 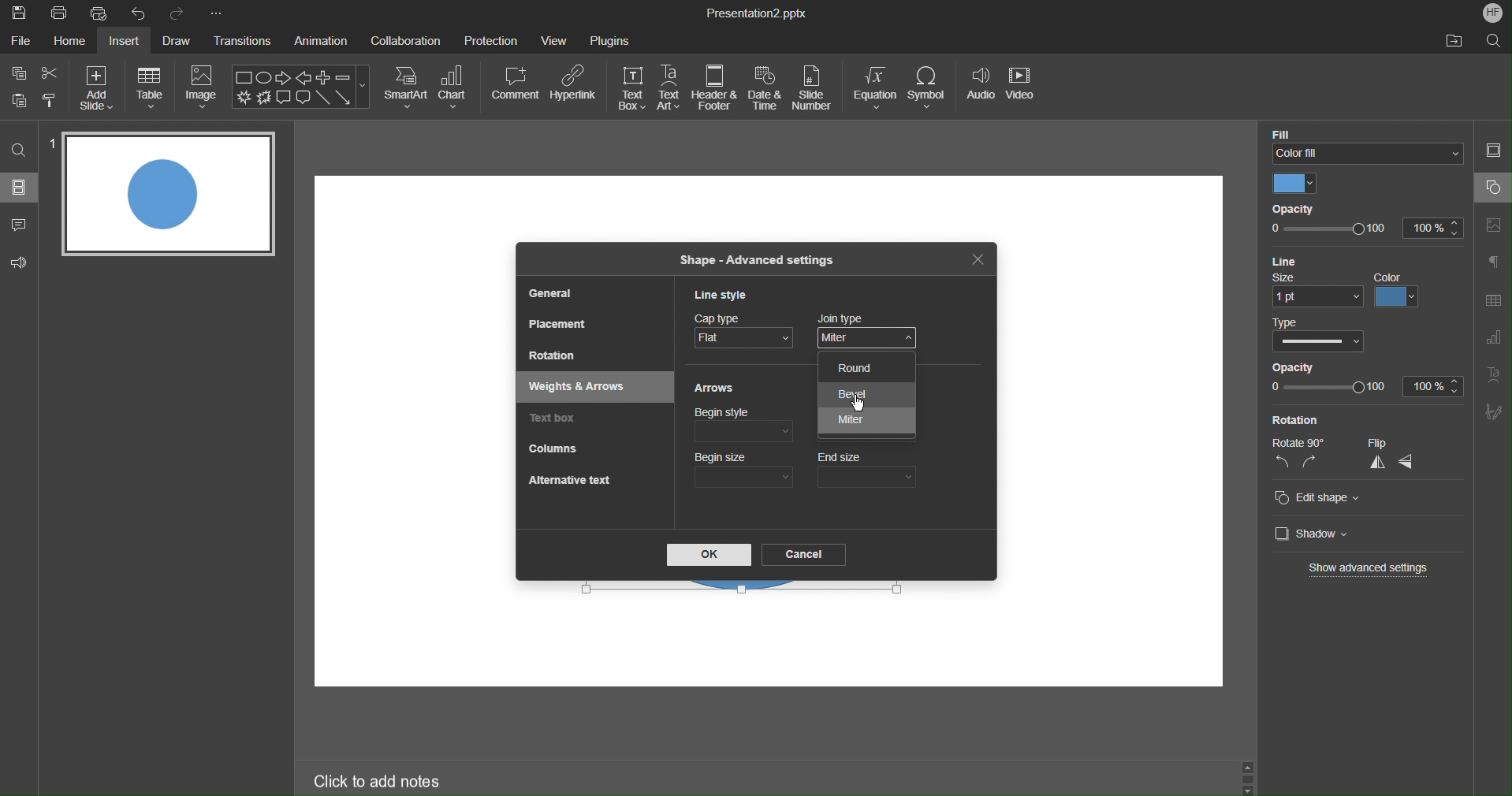 What do you see at coordinates (50, 99) in the screenshot?
I see `Copy Style` at bounding box center [50, 99].